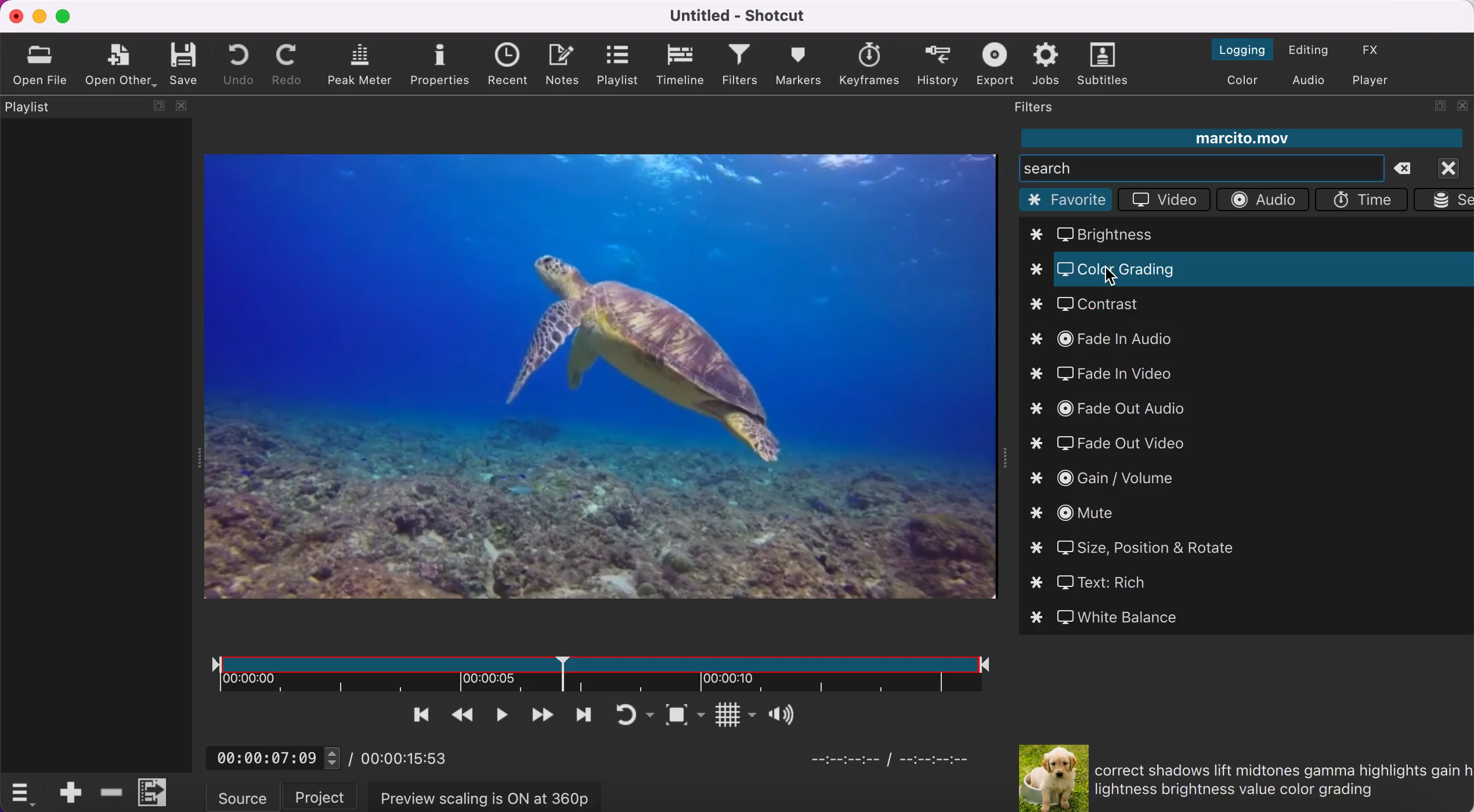 This screenshot has width=1474, height=812. I want to click on time, so click(1364, 199).